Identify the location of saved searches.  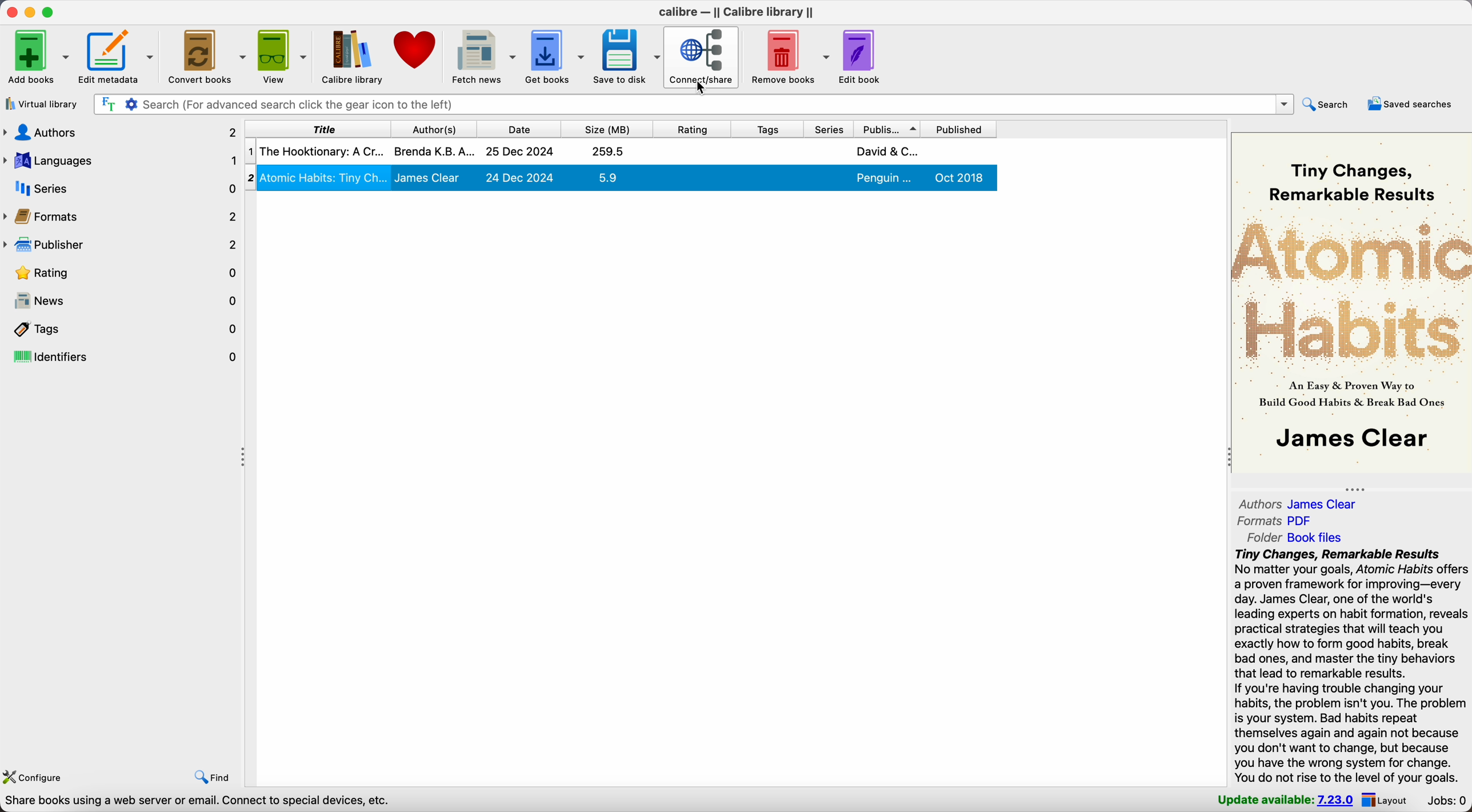
(1411, 105).